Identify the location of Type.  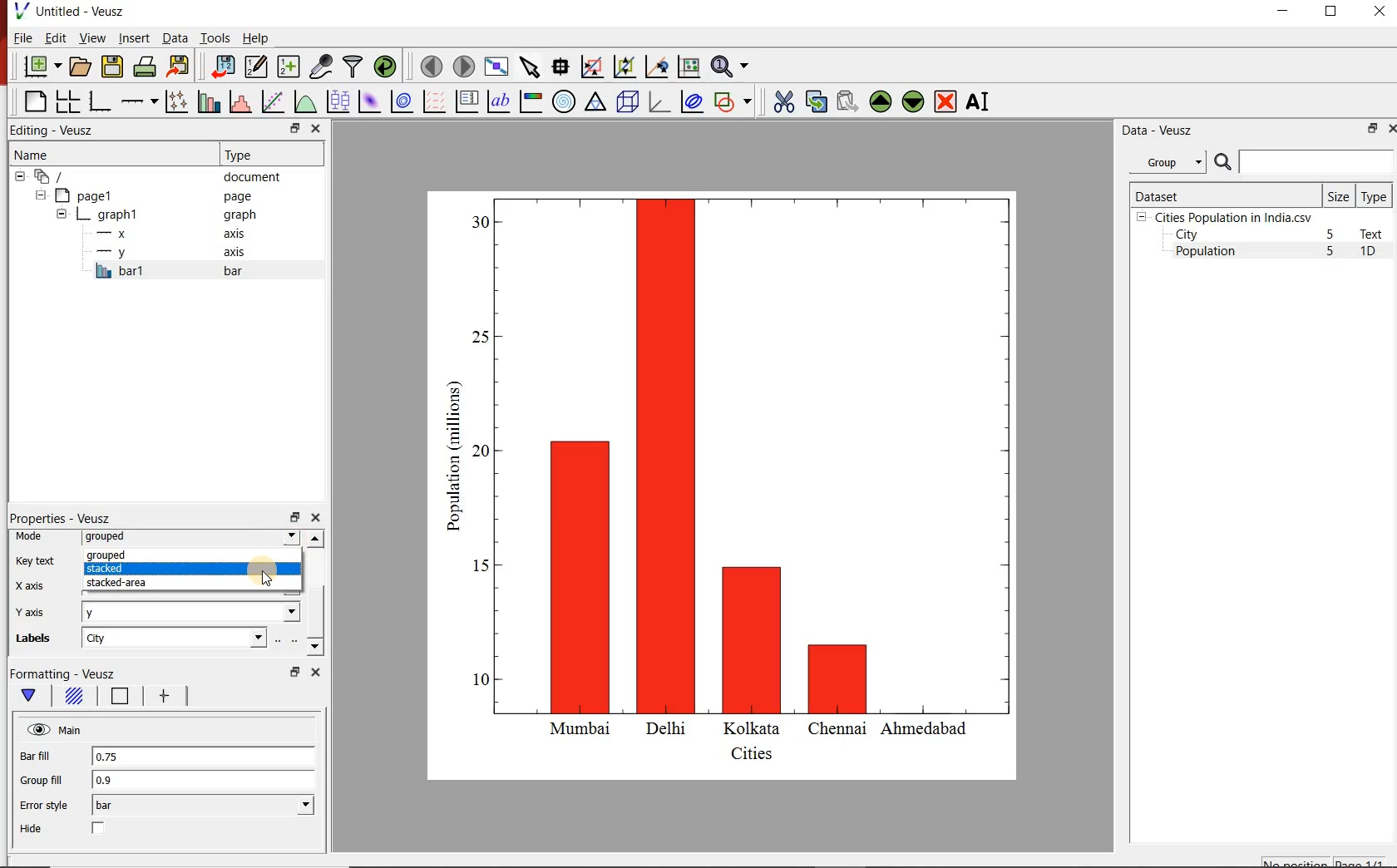
(269, 155).